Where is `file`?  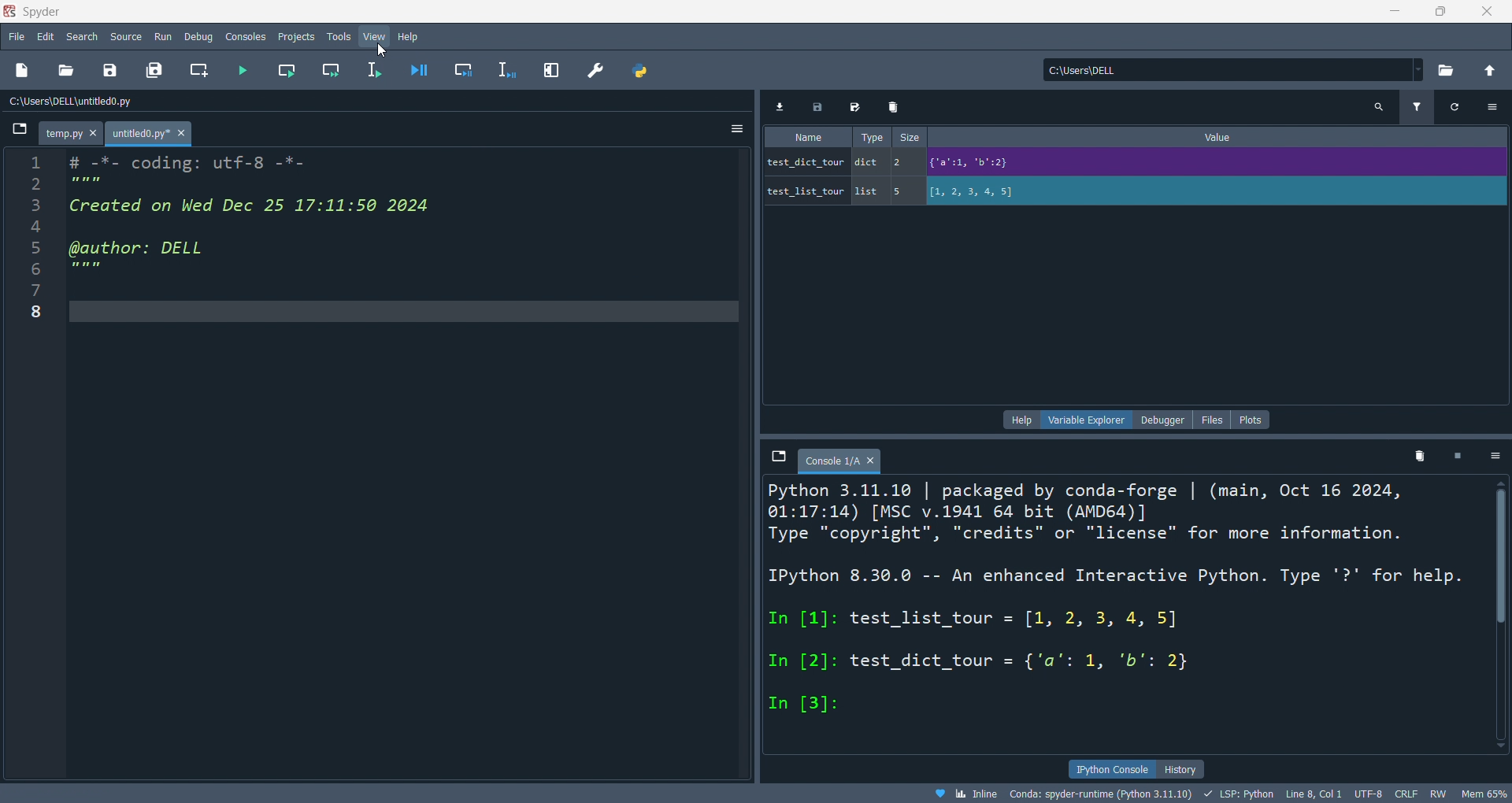 file is located at coordinates (18, 39).